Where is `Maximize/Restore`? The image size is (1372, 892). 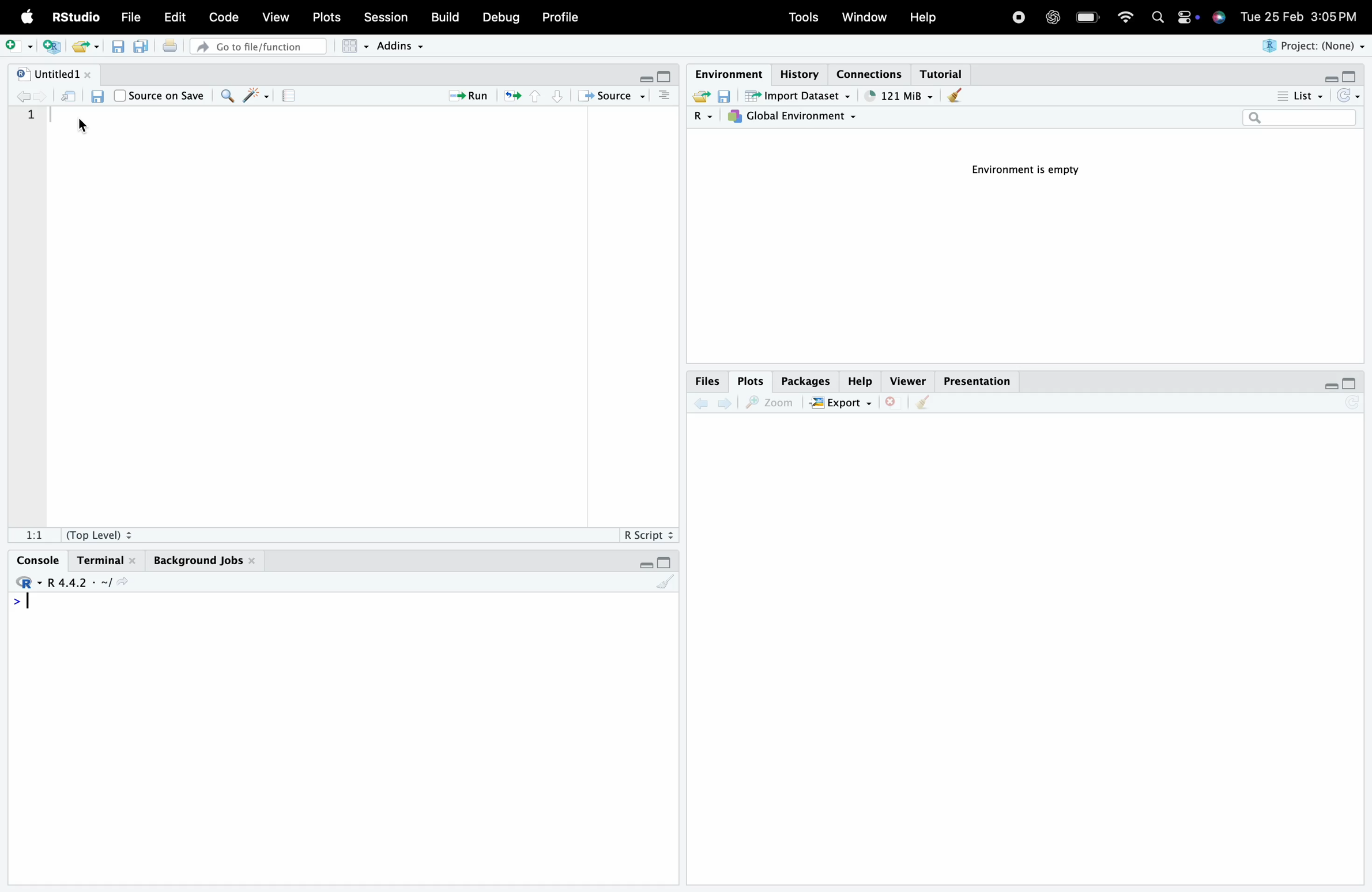 Maximize/Restore is located at coordinates (1350, 74).